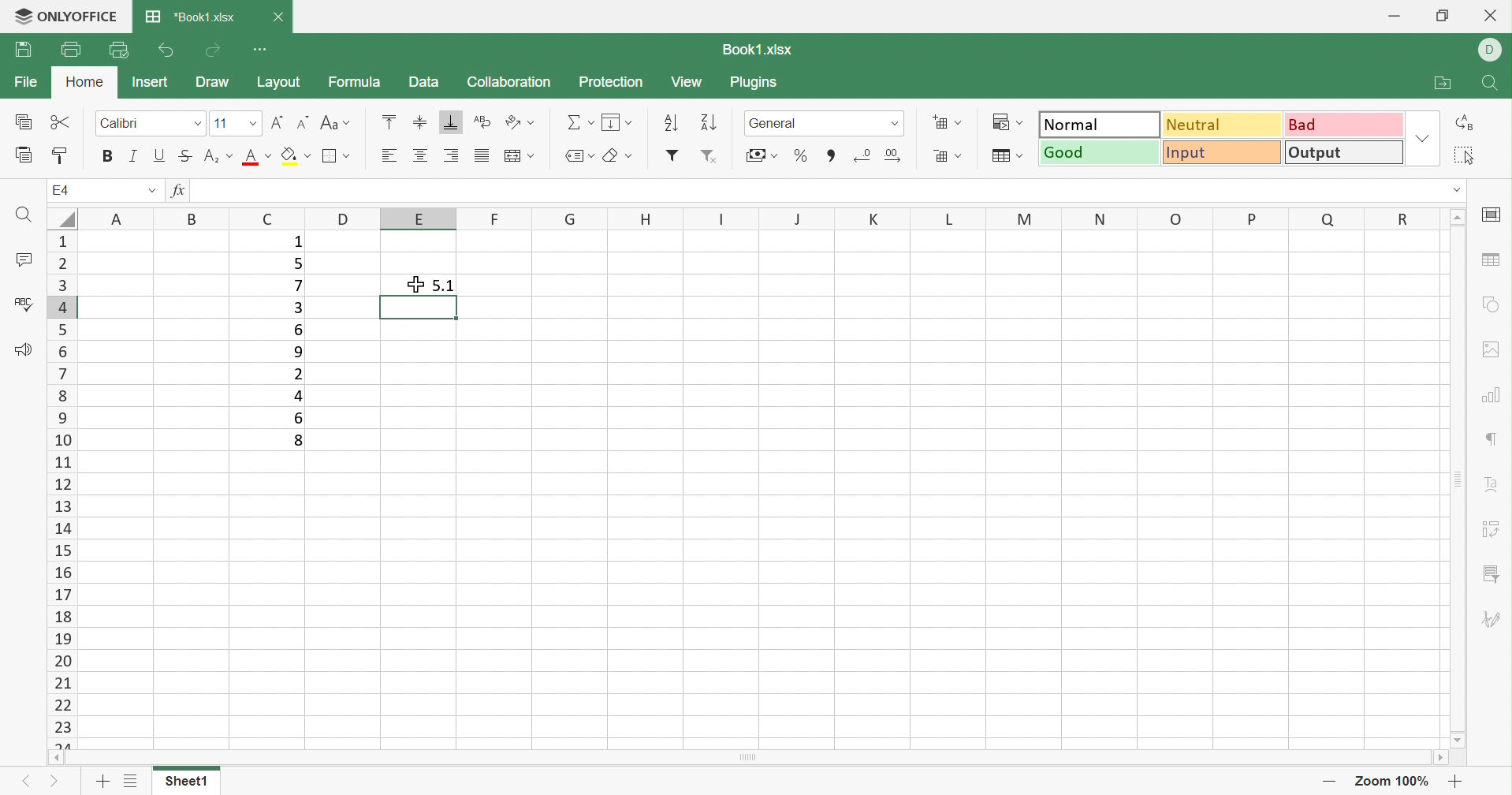 This screenshot has width=1512, height=795. I want to click on Insert, so click(148, 82).